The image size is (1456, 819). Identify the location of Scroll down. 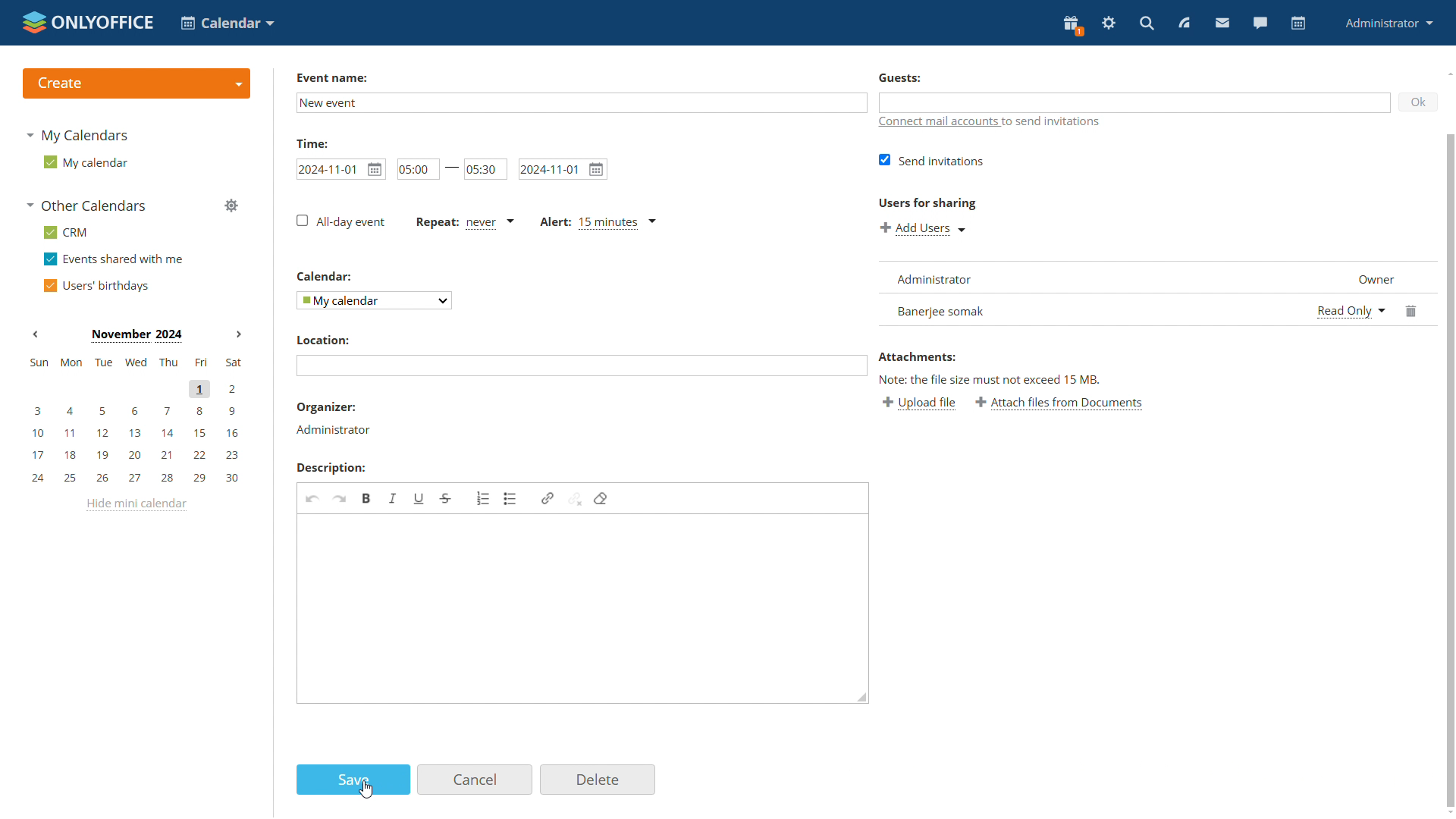
(1447, 813).